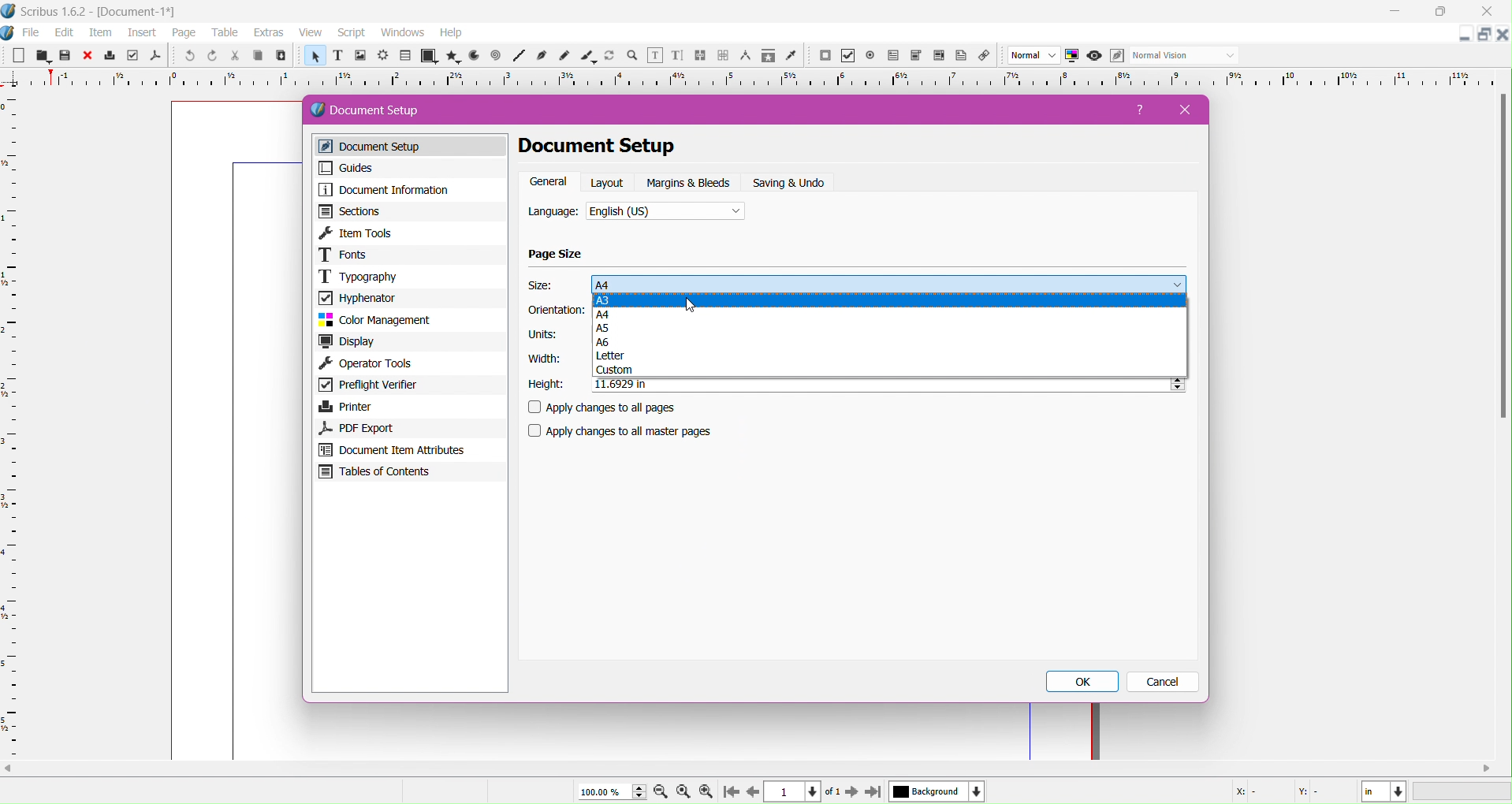 The height and width of the screenshot is (804, 1512). What do you see at coordinates (9, 11) in the screenshot?
I see `app icon` at bounding box center [9, 11].